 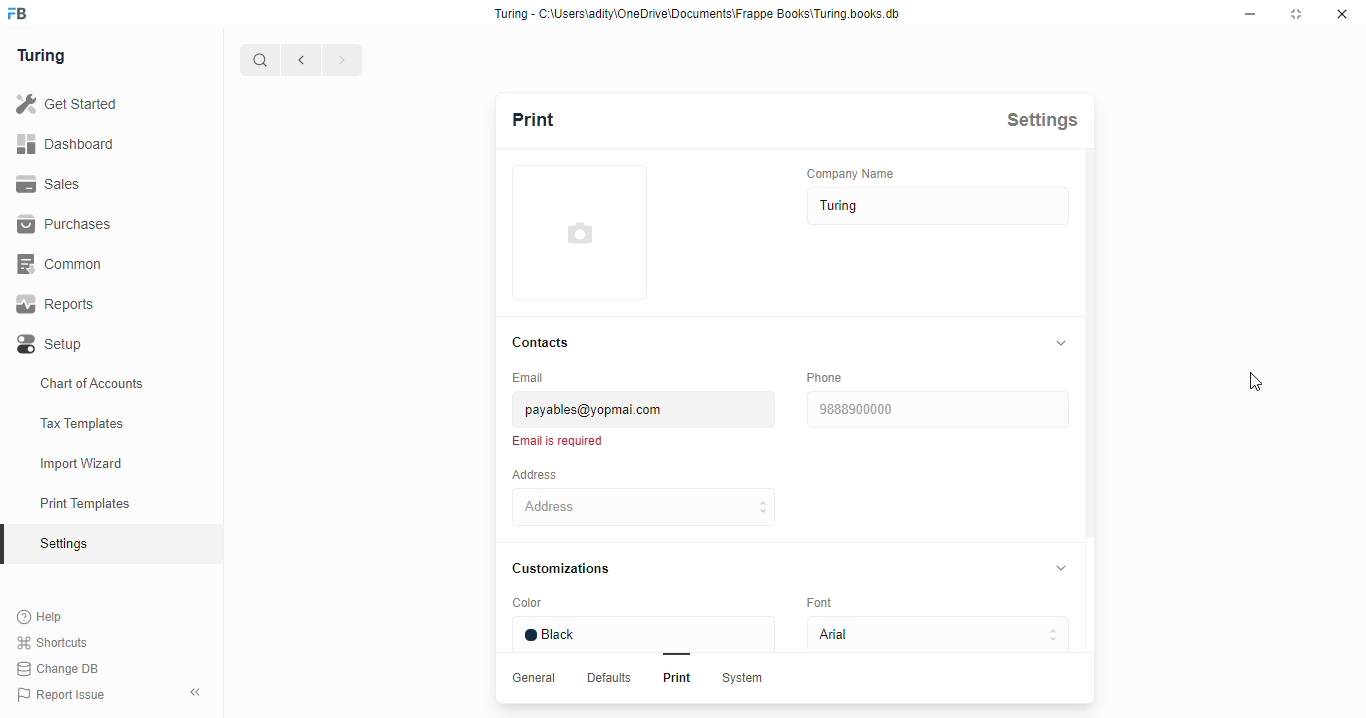 I want to click on ‘Company Name, so click(x=859, y=172).